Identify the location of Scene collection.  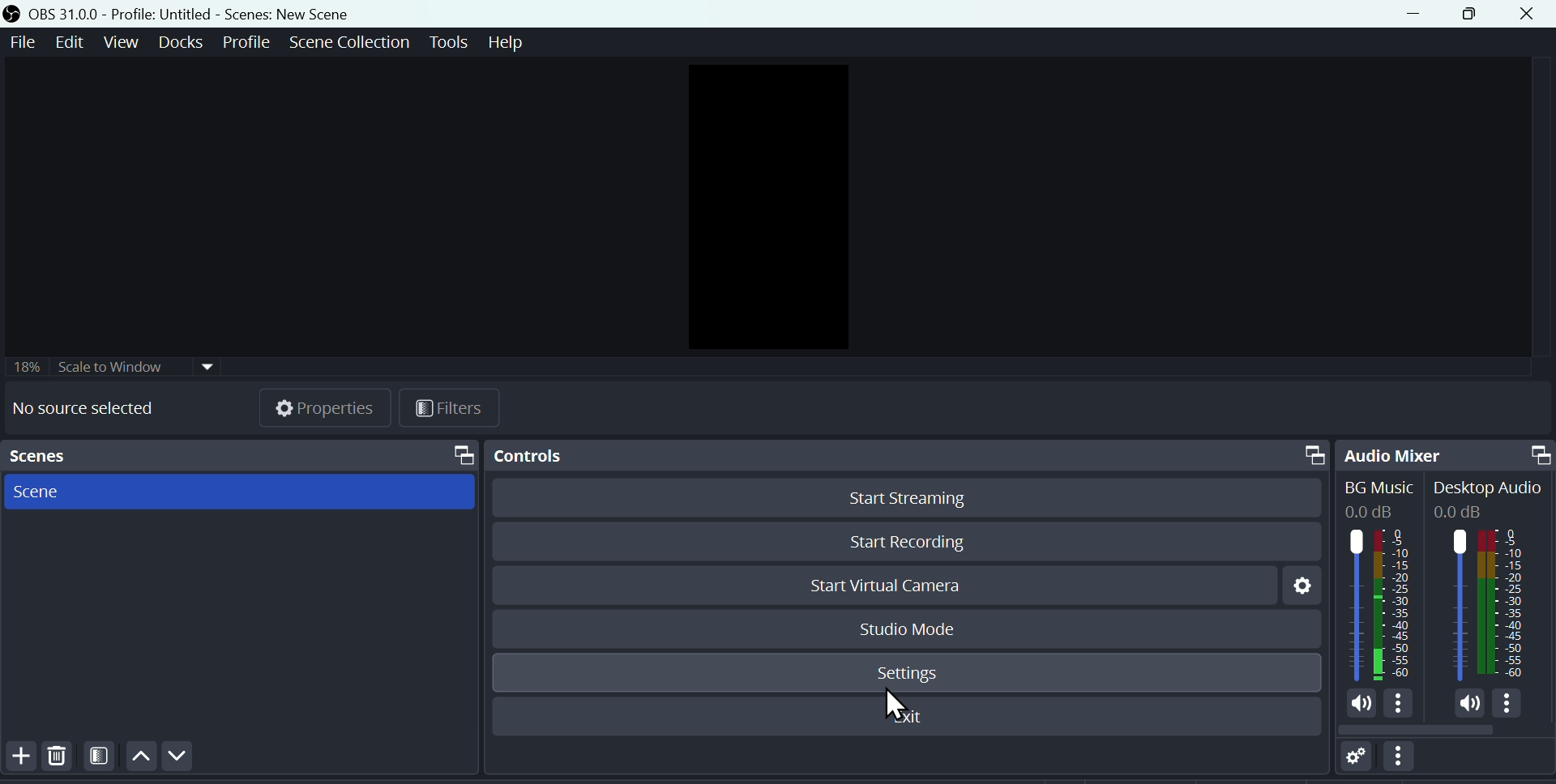
(348, 44).